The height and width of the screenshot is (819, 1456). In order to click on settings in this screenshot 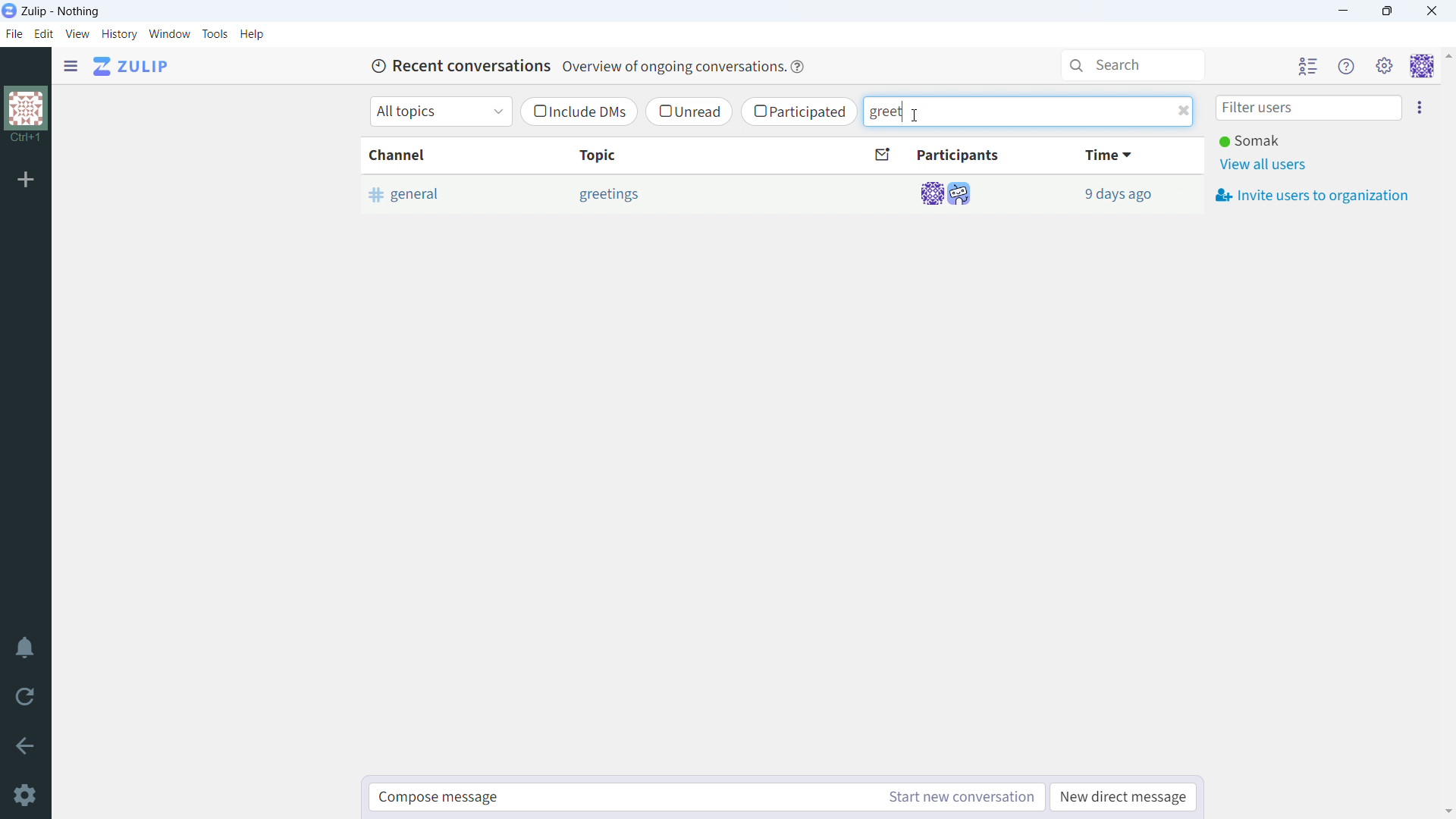, I will do `click(24, 795)`.